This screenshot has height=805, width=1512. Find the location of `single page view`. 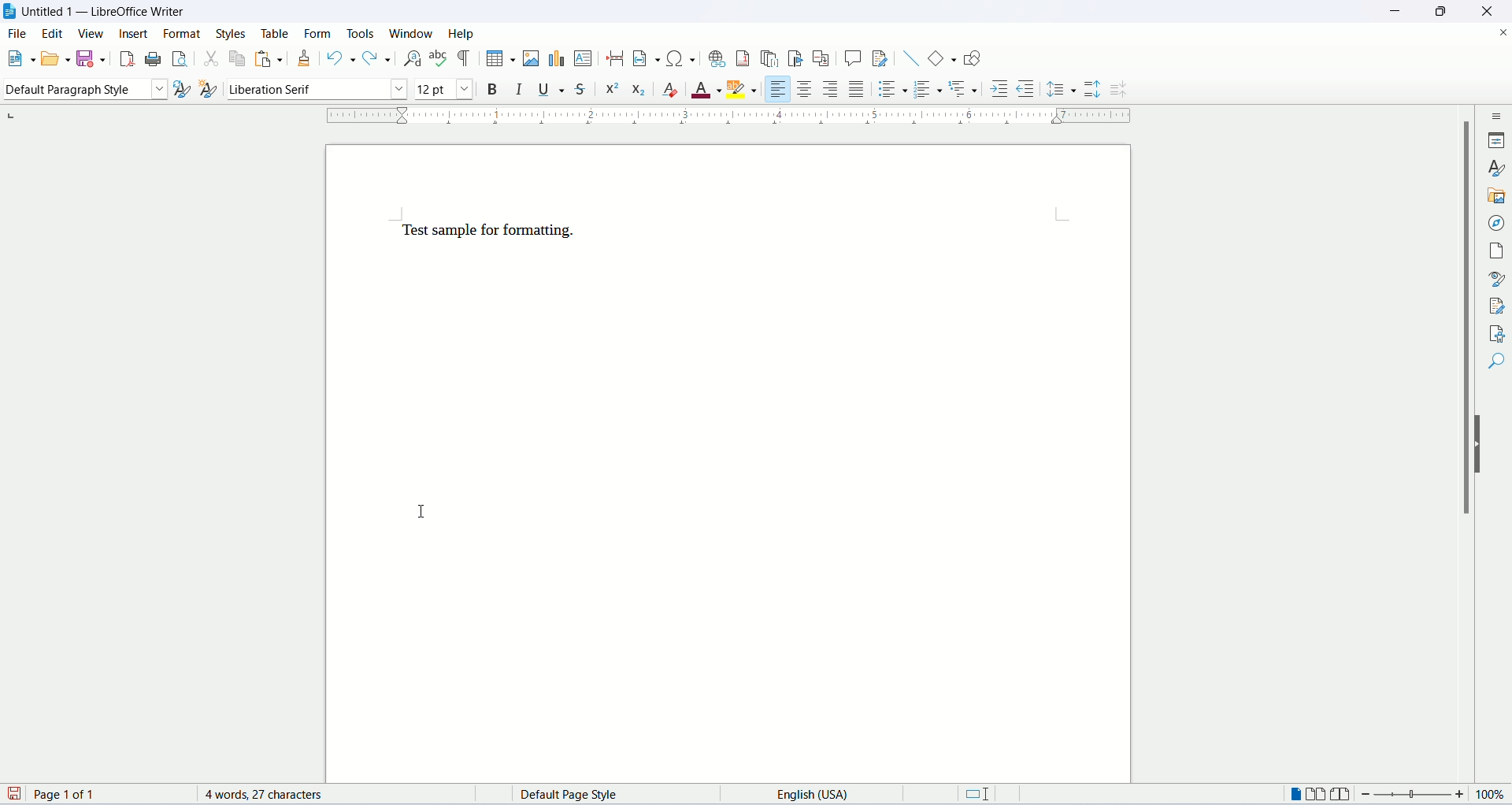

single page view is located at coordinates (1297, 794).